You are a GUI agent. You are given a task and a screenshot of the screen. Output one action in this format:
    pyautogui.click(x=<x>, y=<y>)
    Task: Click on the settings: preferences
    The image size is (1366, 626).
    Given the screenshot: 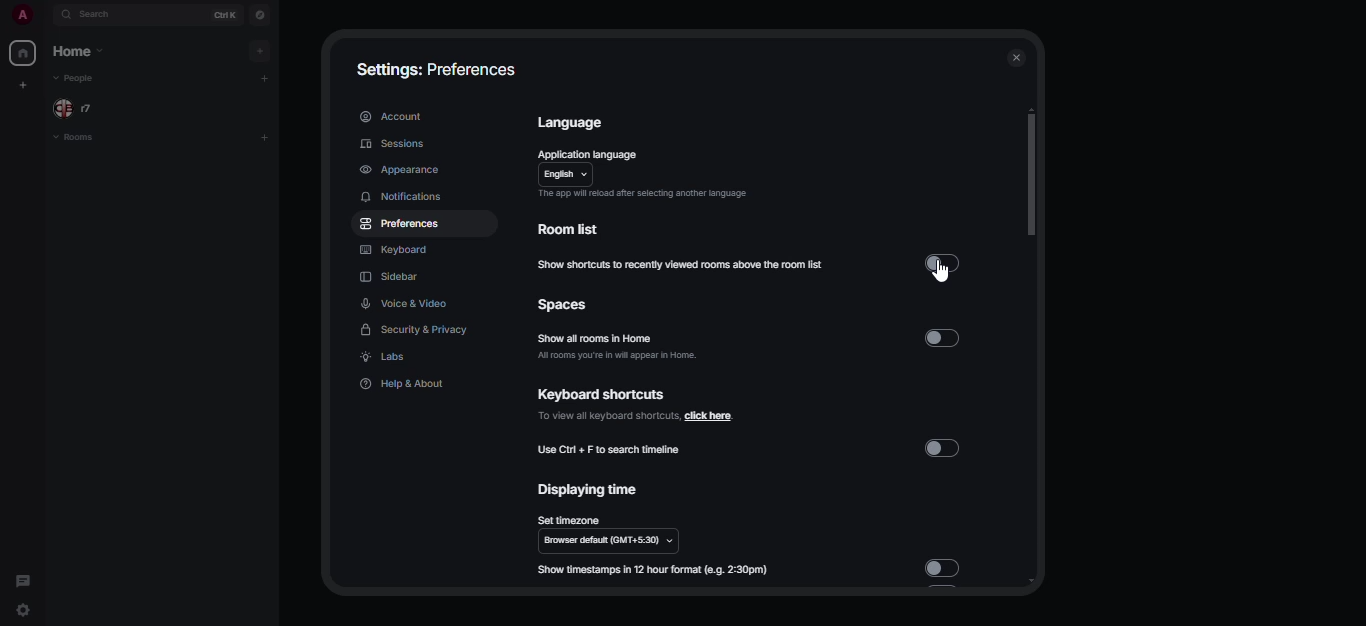 What is the action you would take?
    pyautogui.click(x=439, y=68)
    